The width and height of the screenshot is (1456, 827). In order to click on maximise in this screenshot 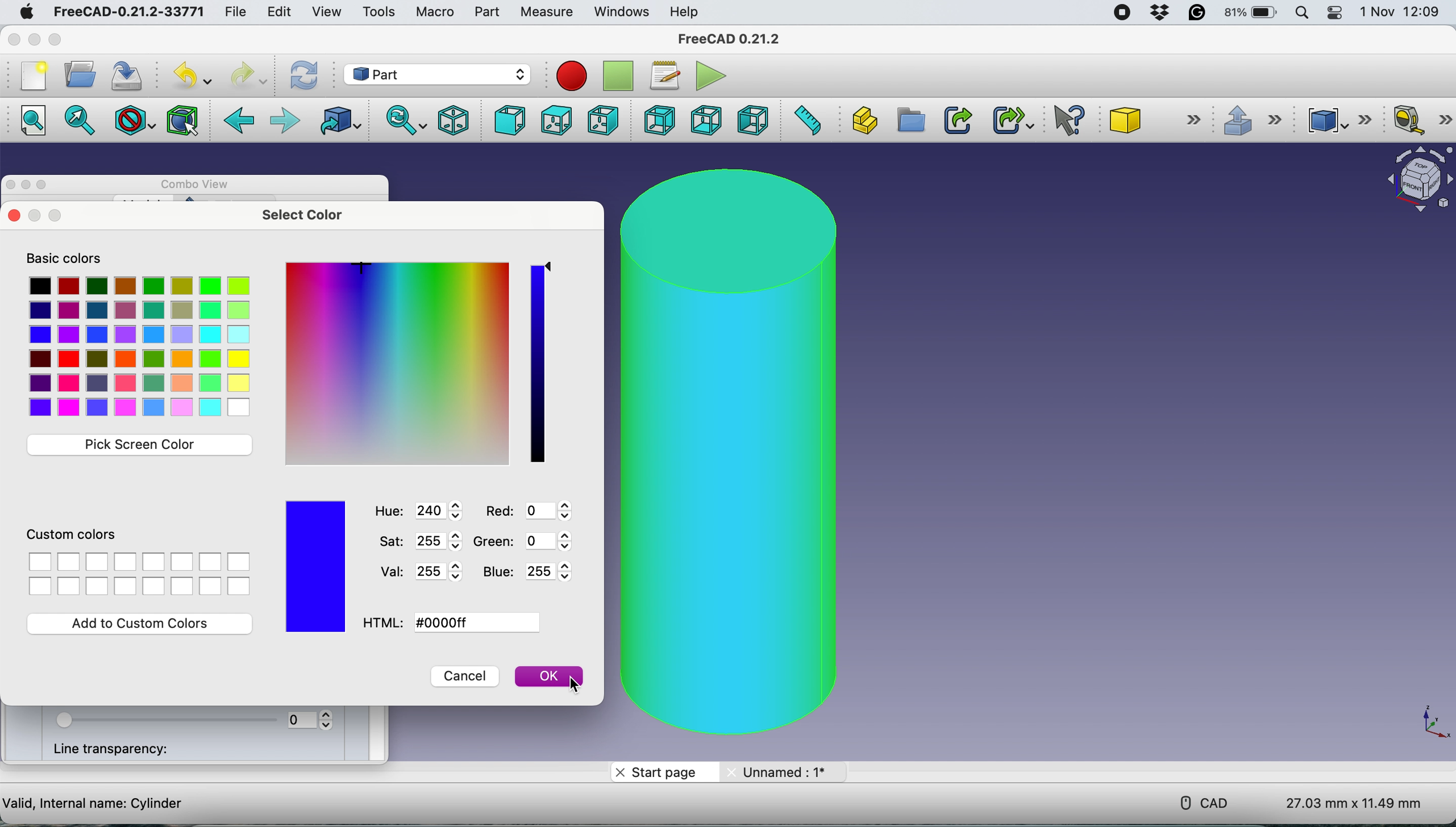, I will do `click(60, 40)`.